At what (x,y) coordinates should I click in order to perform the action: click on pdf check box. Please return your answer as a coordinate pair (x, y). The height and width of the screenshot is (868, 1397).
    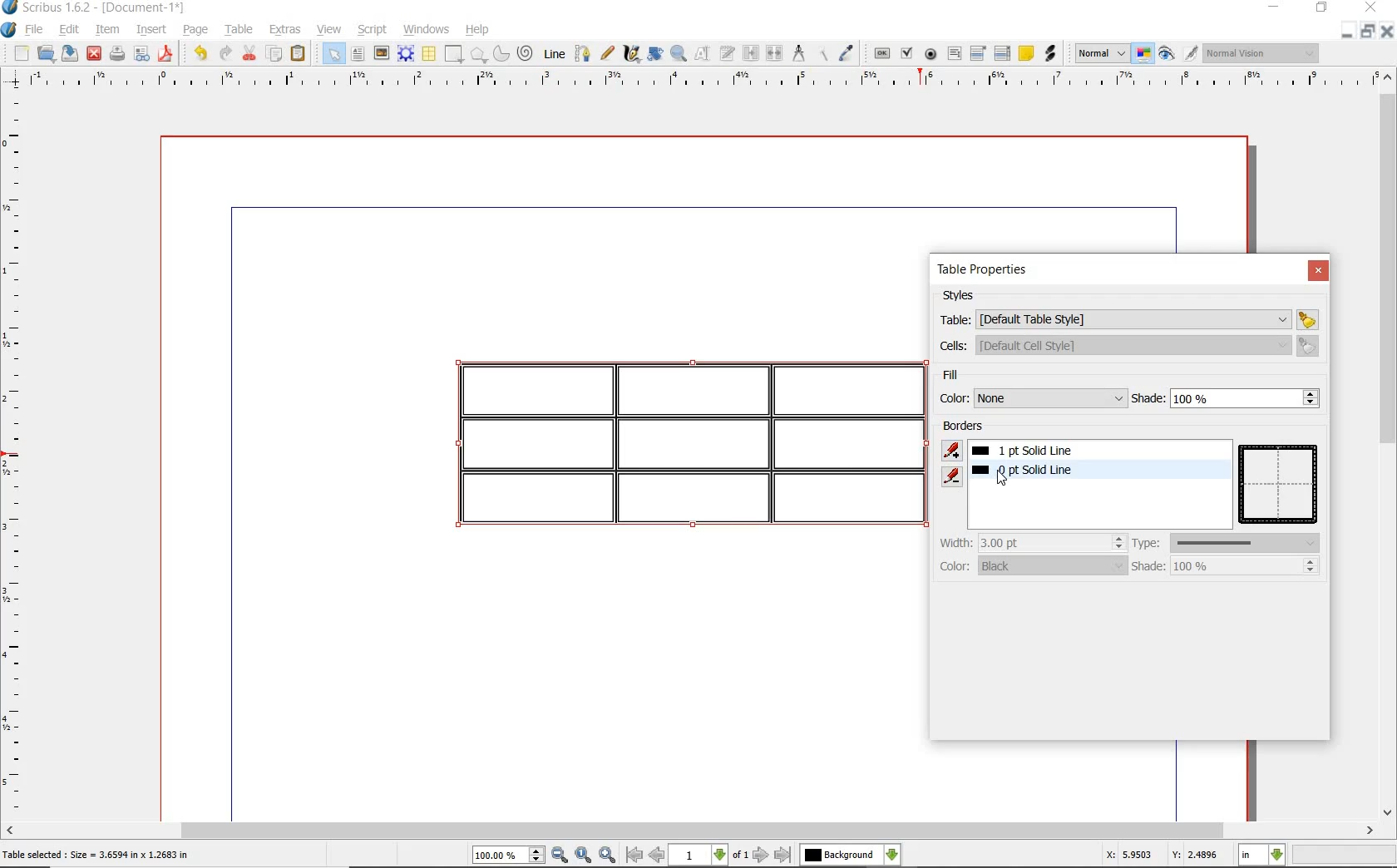
    Looking at the image, I should click on (908, 55).